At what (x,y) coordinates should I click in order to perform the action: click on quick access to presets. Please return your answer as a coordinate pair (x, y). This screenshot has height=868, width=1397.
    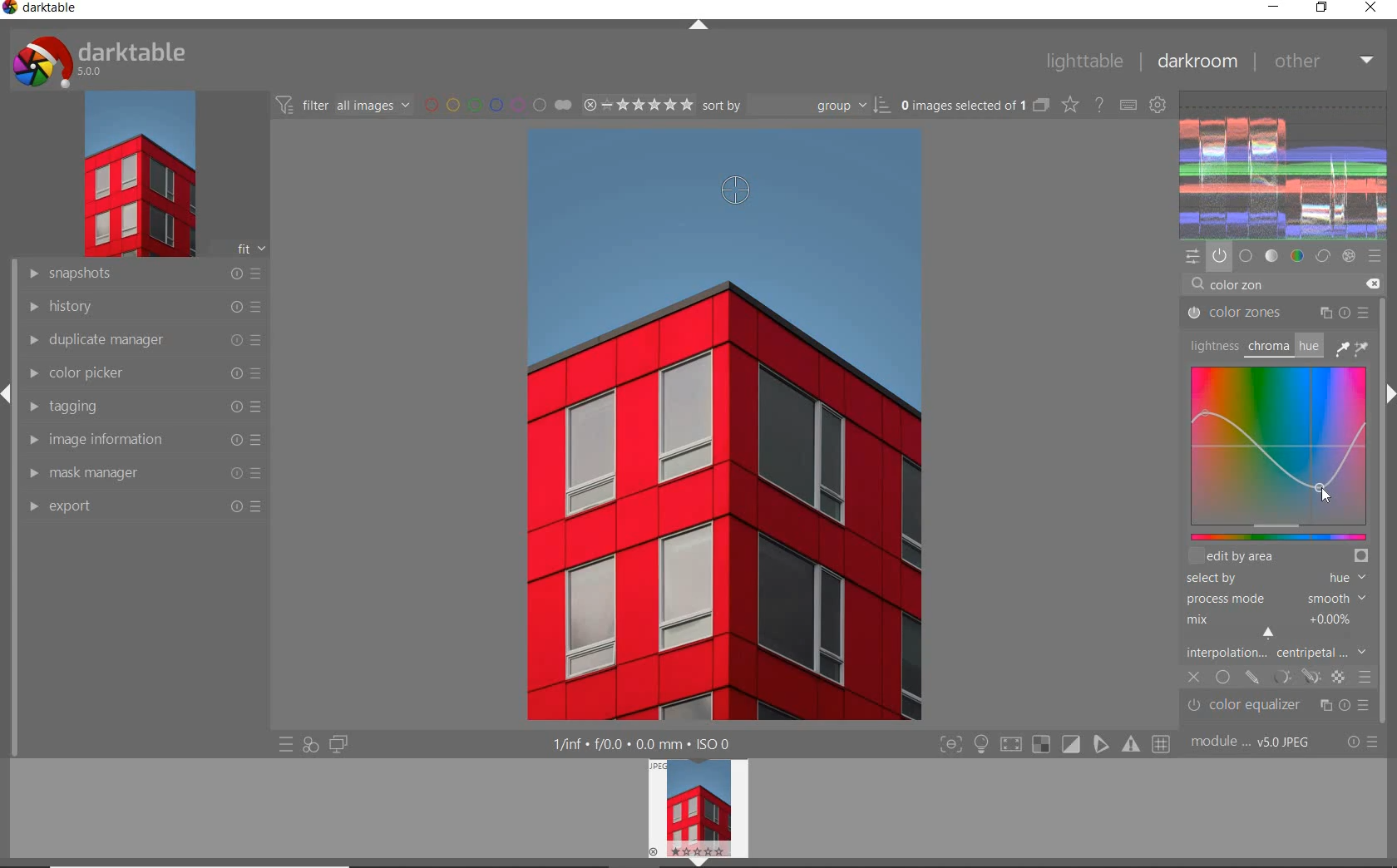
    Looking at the image, I should click on (286, 746).